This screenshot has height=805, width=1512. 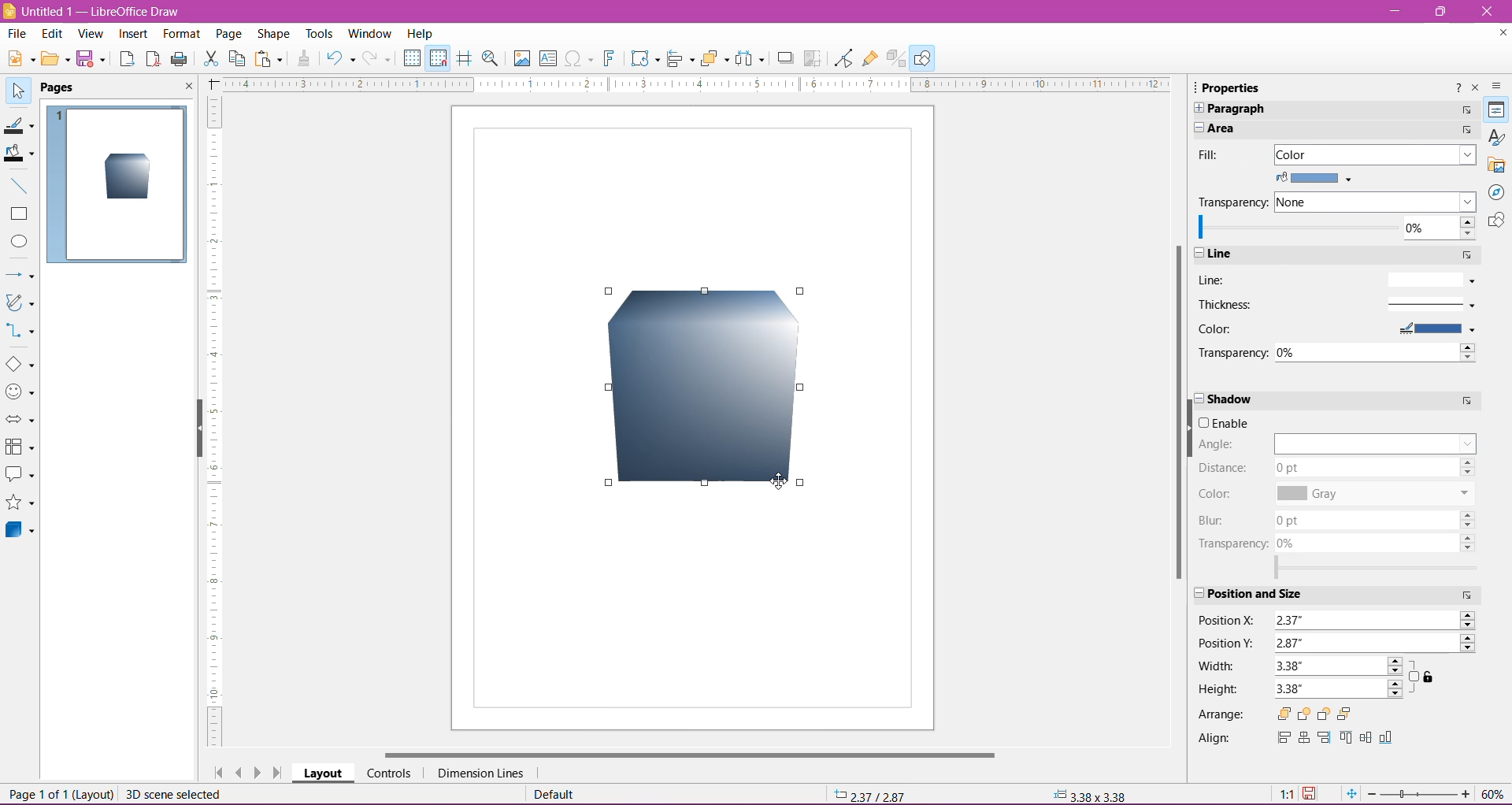 I want to click on Centered, so click(x=1303, y=740).